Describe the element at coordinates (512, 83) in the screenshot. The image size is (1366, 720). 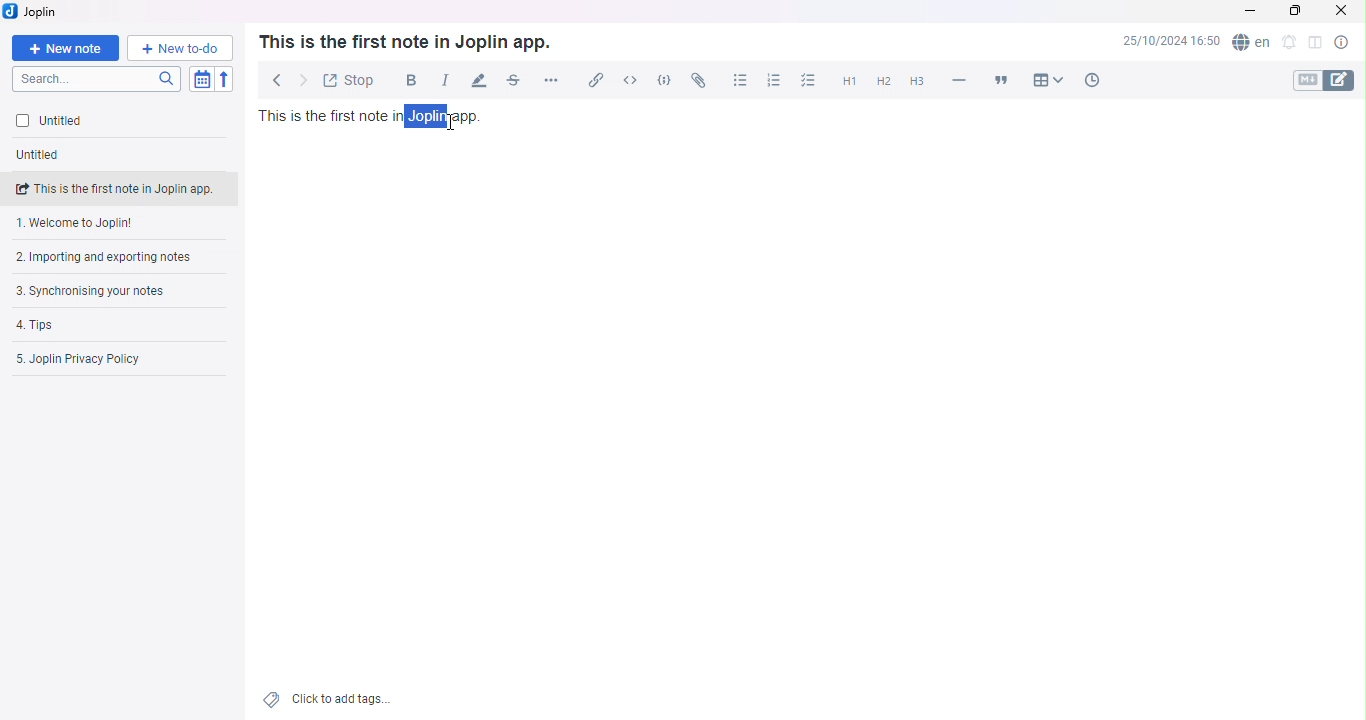
I see `Strikethrough` at that location.